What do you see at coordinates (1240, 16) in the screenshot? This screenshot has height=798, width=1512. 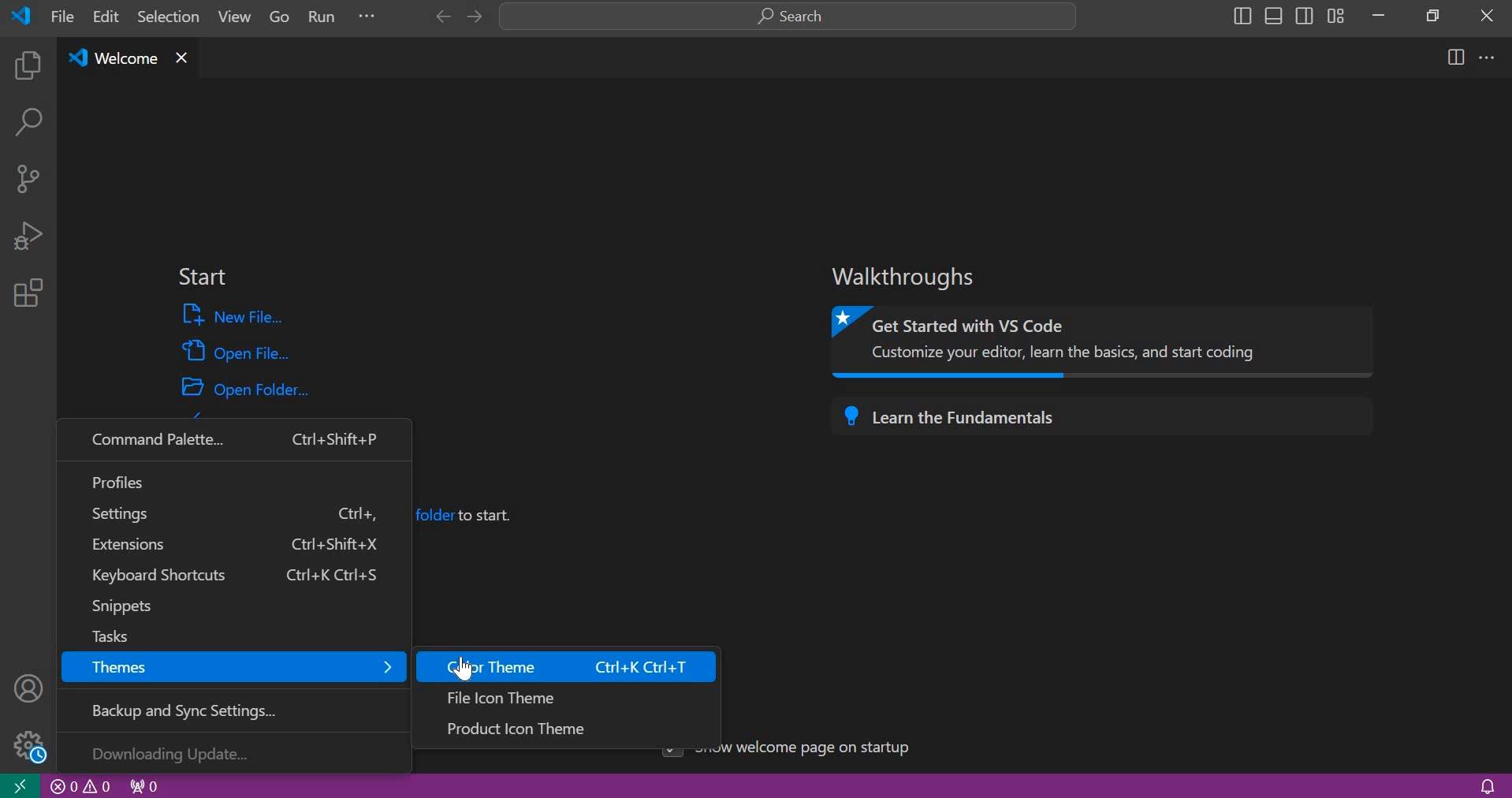 I see `toggle primary sidebar` at bounding box center [1240, 16].